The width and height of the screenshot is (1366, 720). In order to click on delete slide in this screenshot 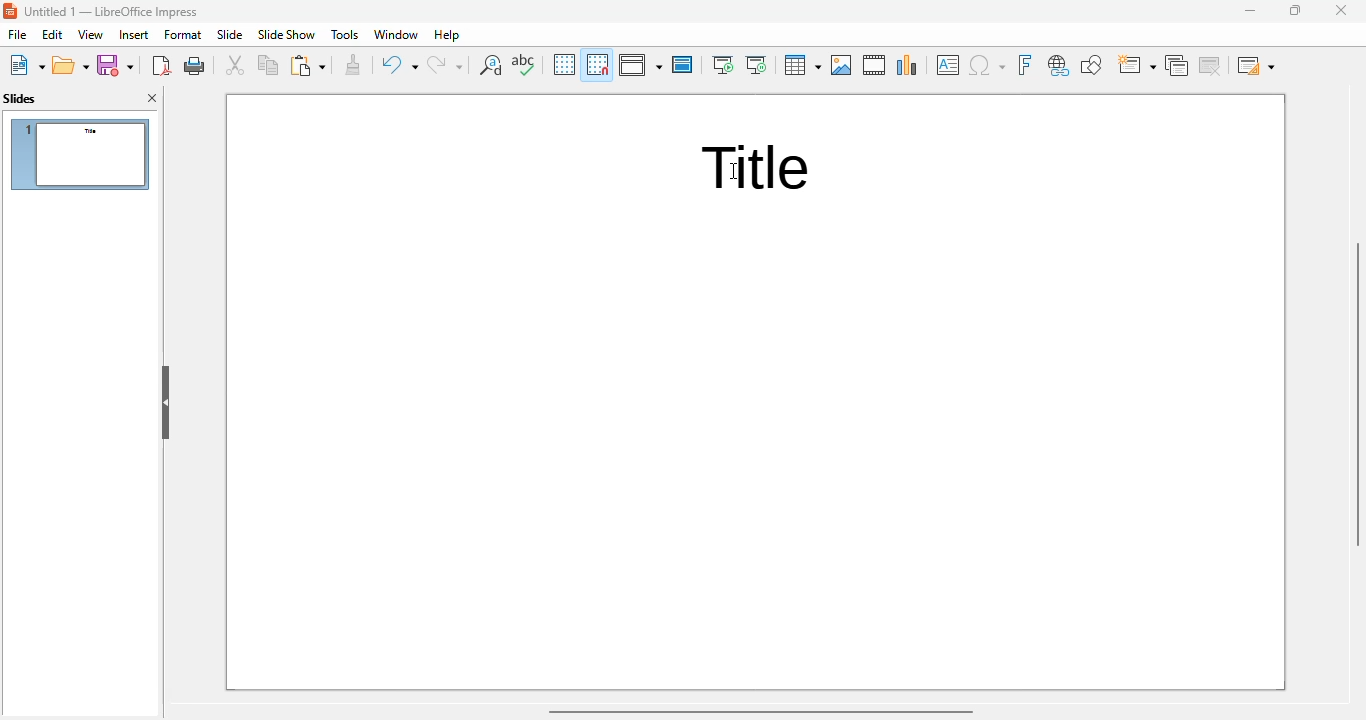, I will do `click(1211, 65)`.